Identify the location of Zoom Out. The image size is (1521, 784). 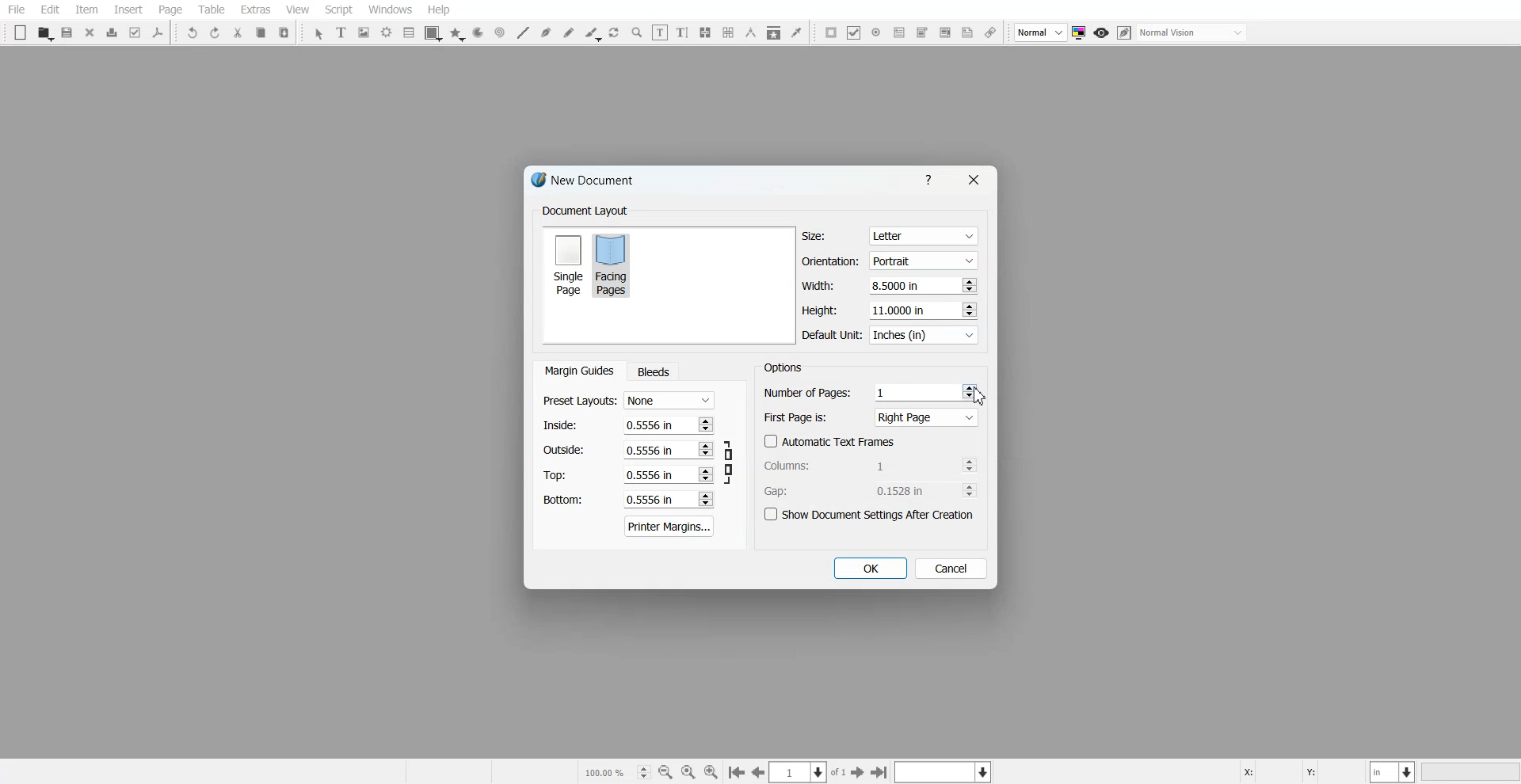
(665, 772).